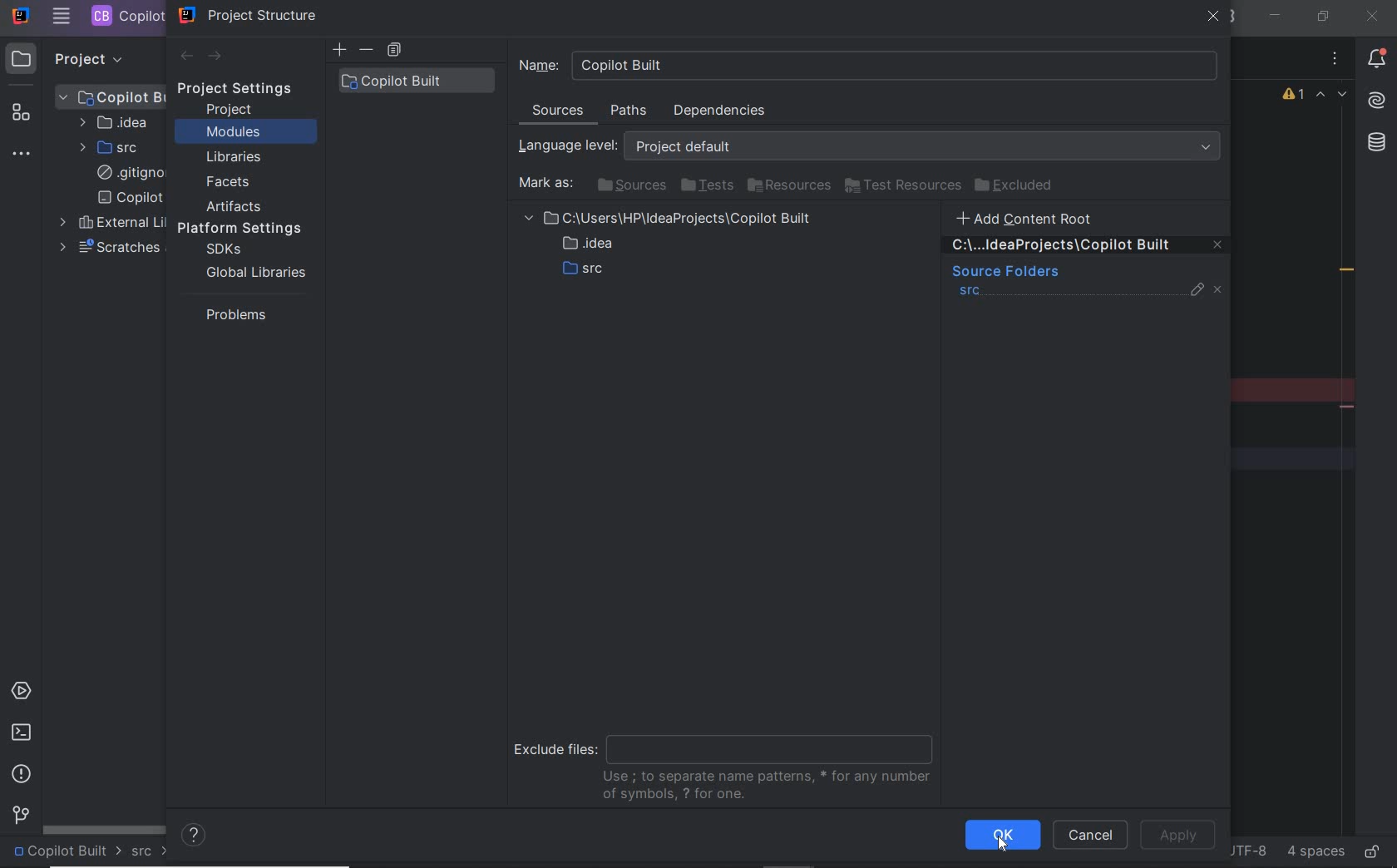  I want to click on sources, so click(629, 185).